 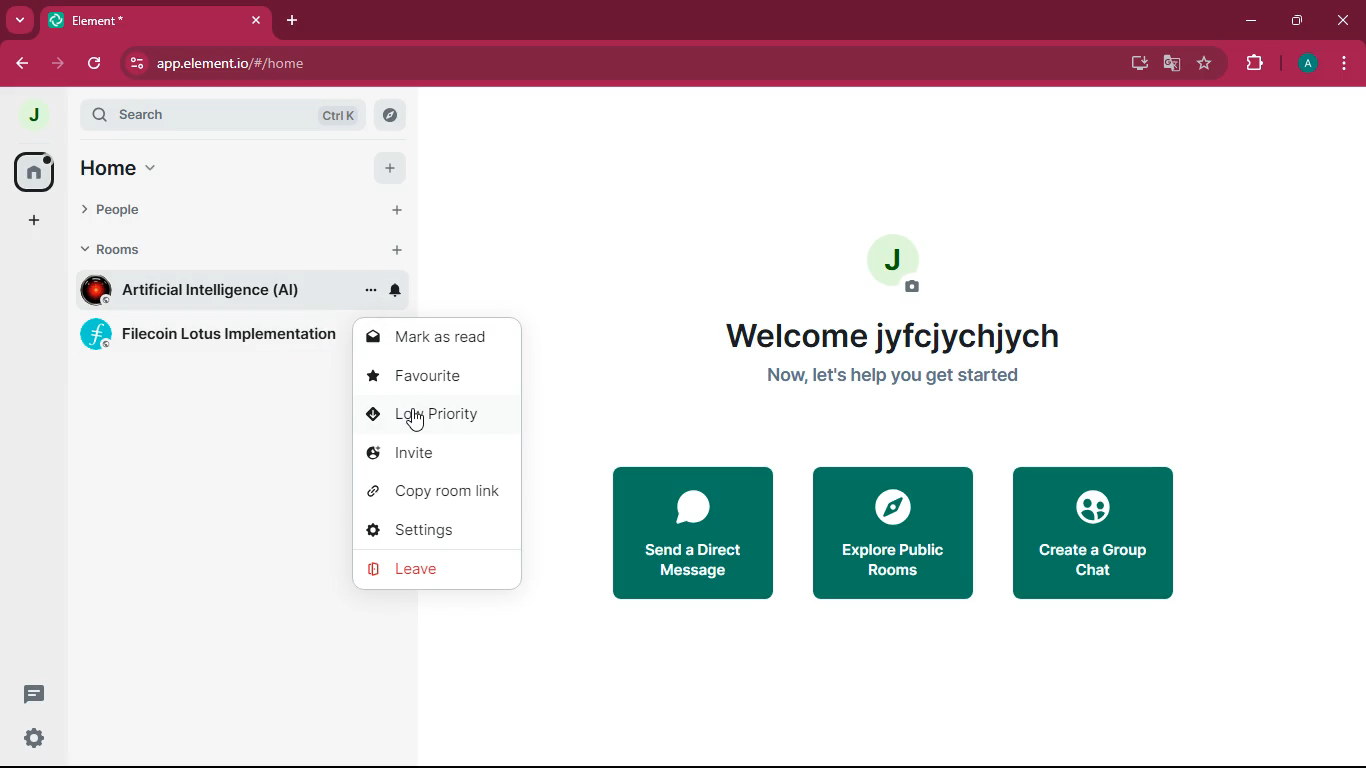 I want to click on people, so click(x=134, y=213).